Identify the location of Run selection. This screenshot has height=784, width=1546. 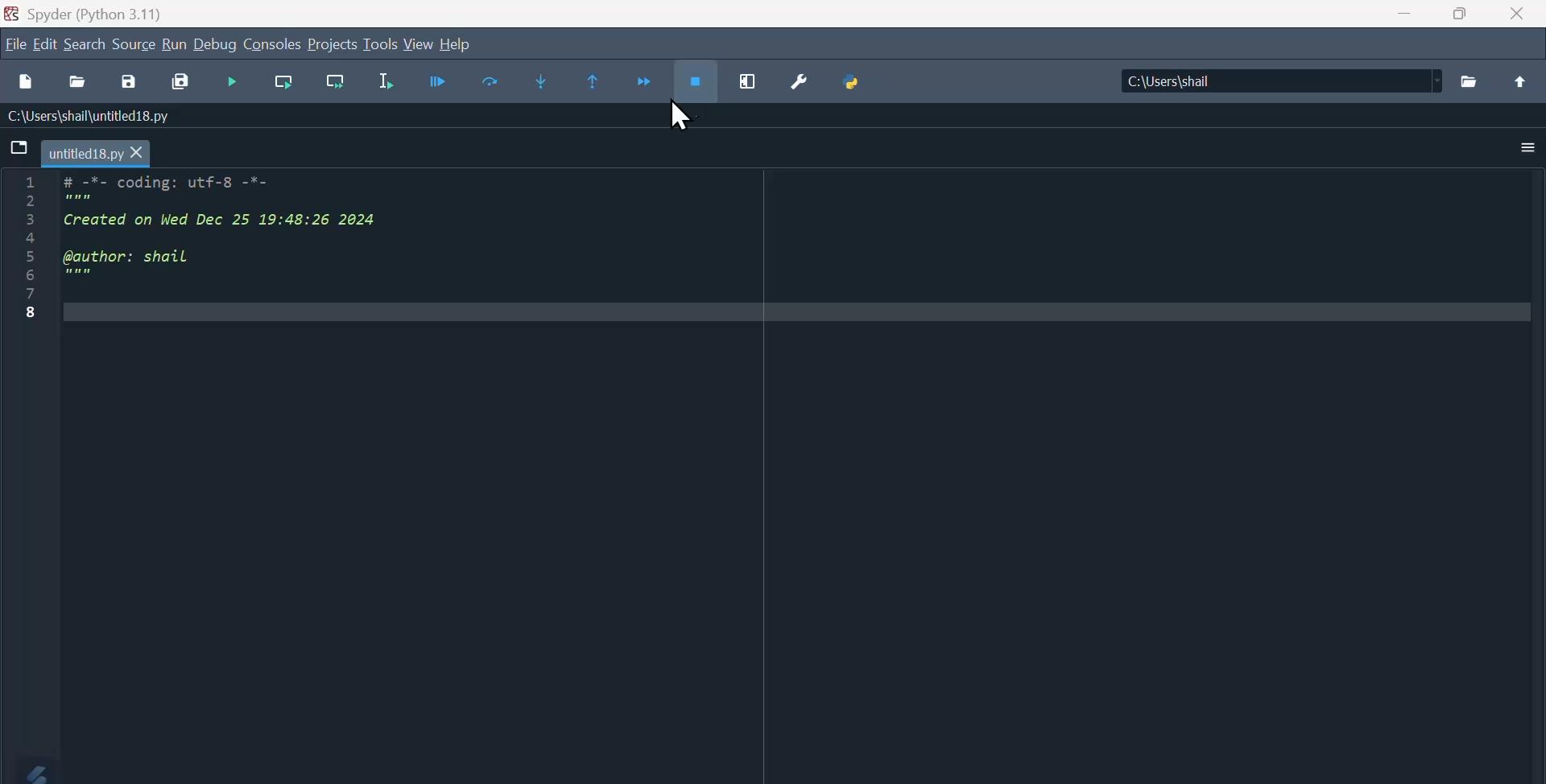
(383, 83).